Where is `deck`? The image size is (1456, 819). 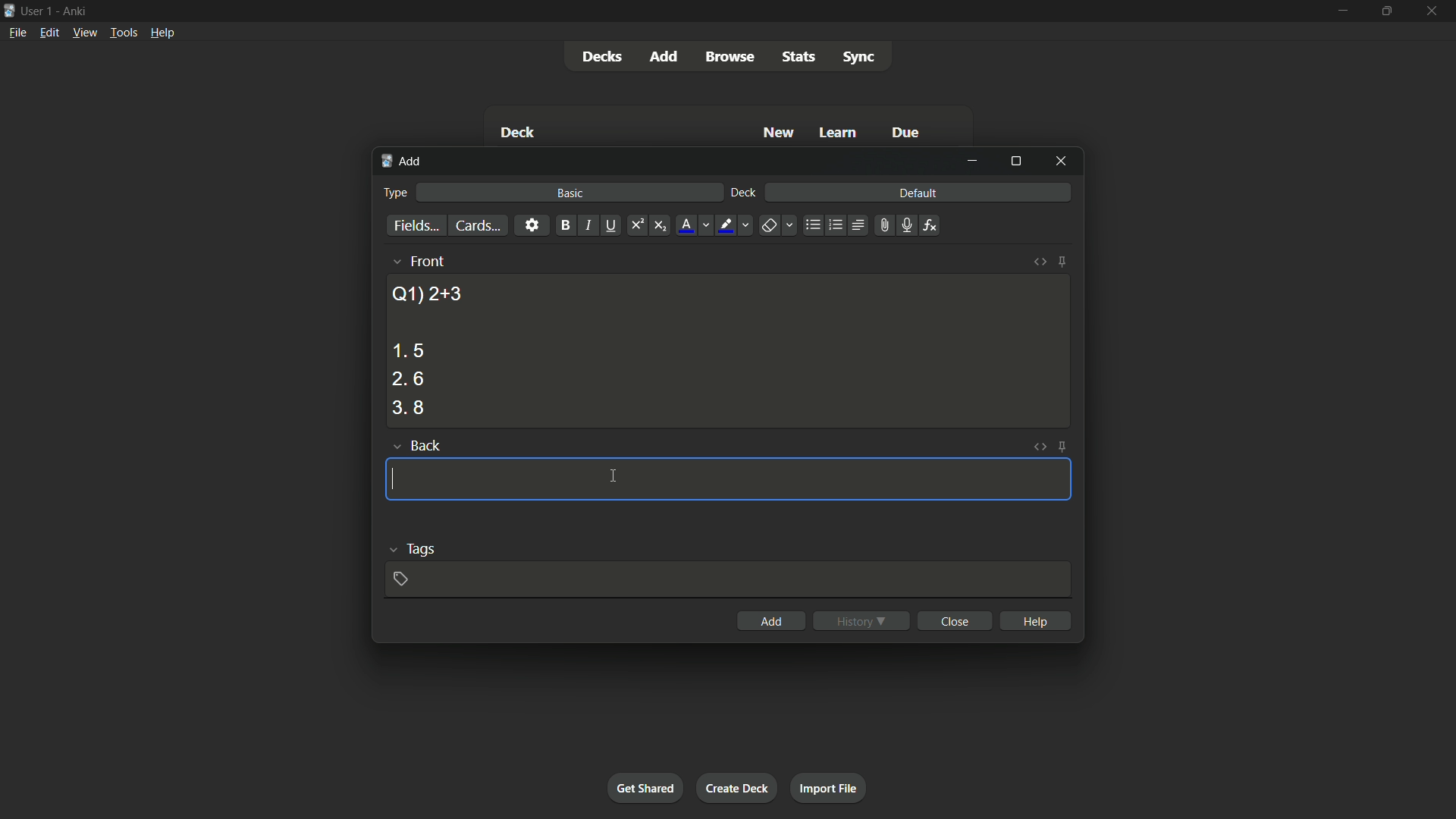 deck is located at coordinates (517, 134).